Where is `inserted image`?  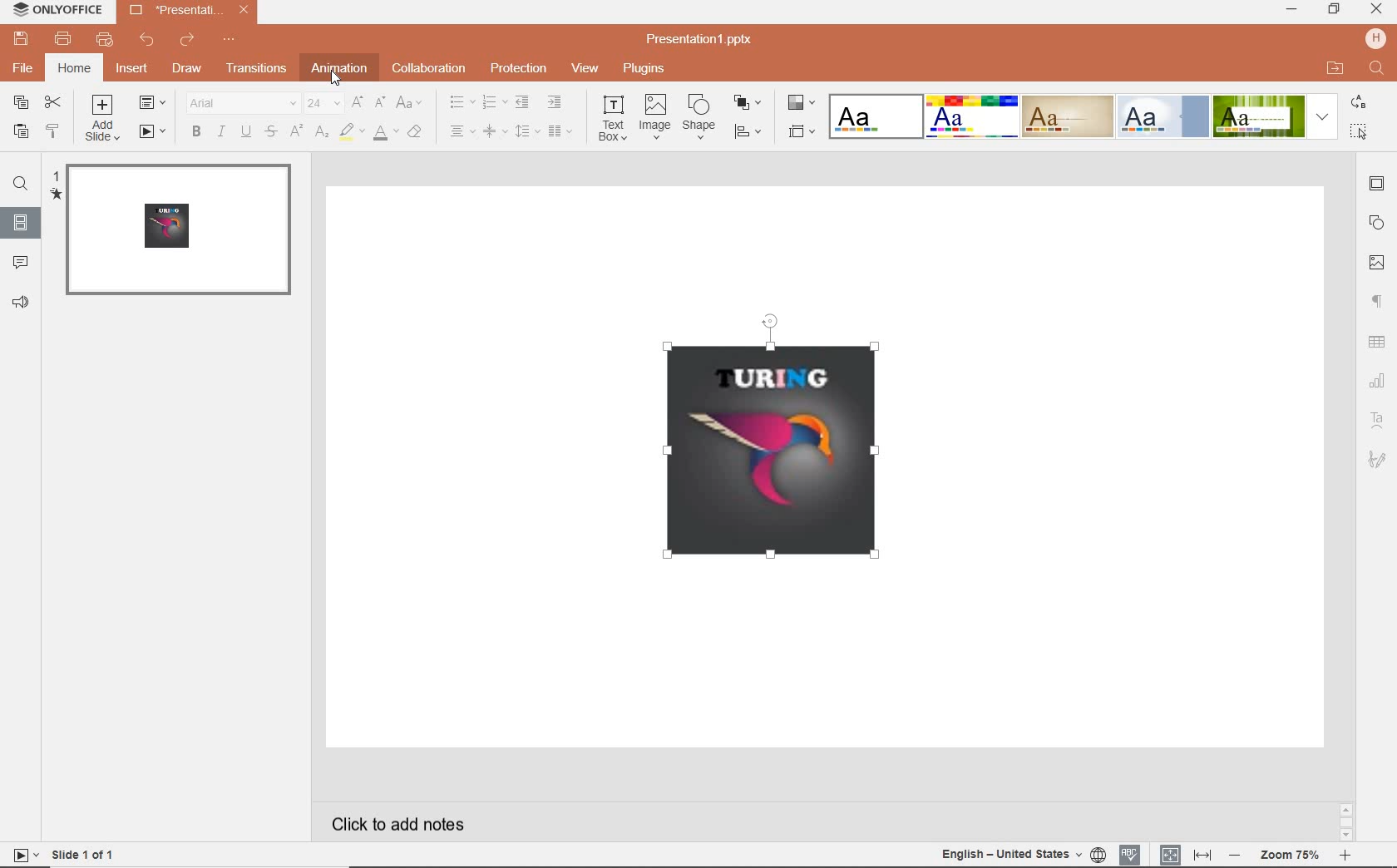 inserted image is located at coordinates (787, 448).